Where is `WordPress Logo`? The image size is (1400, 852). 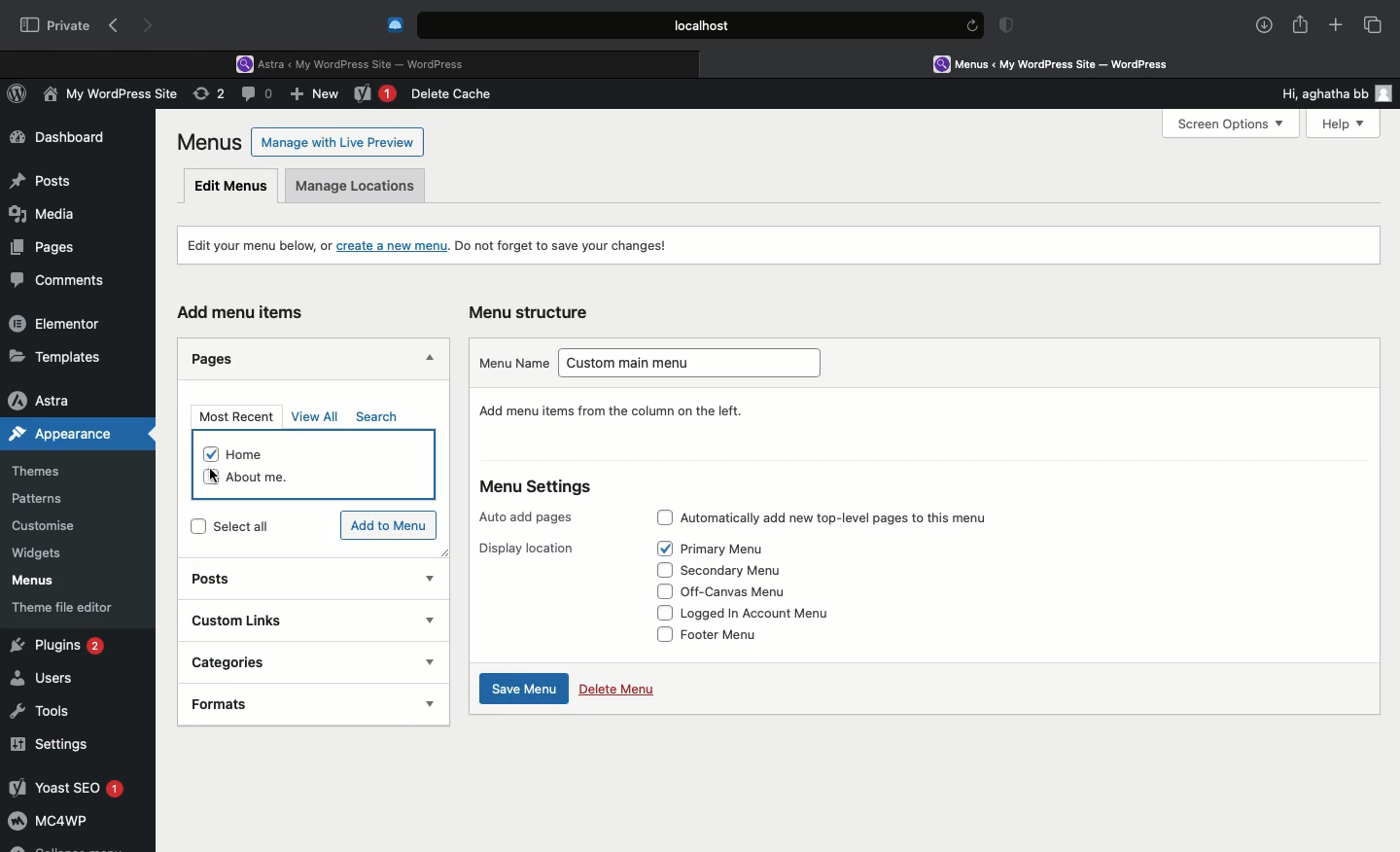
WordPress Logo is located at coordinates (20, 96).